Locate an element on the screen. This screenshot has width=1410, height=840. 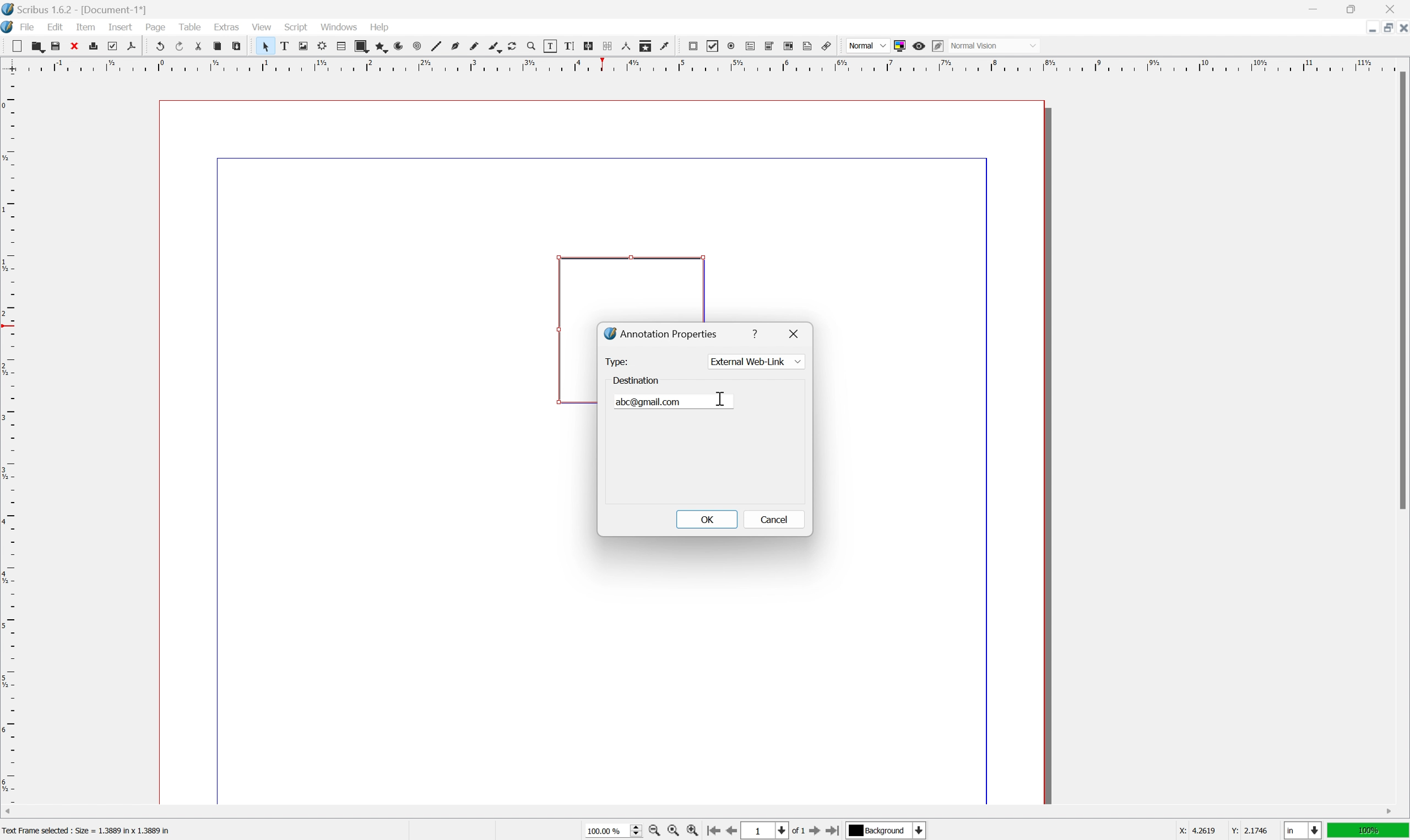
pdf text field is located at coordinates (750, 46).